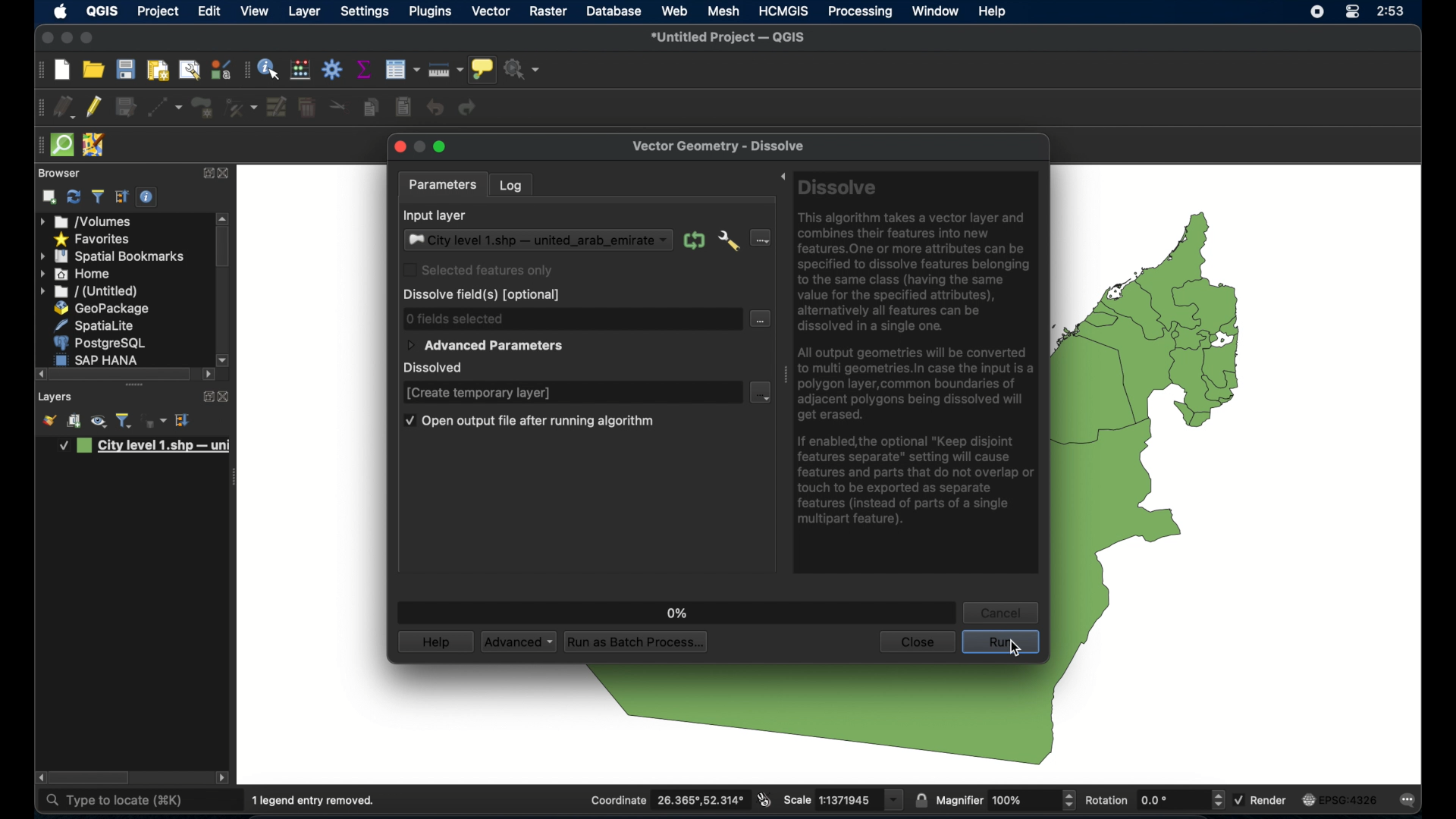  What do you see at coordinates (184, 420) in the screenshot?
I see `expand all` at bounding box center [184, 420].